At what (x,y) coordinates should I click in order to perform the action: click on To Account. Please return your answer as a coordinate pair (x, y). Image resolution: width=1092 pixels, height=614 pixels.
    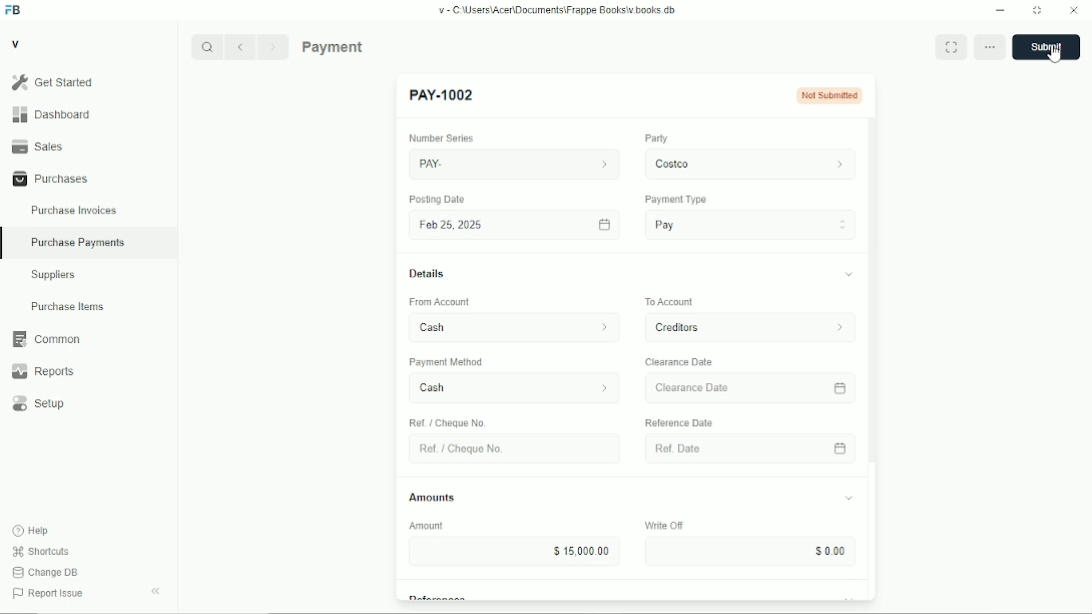
    Looking at the image, I should click on (667, 300).